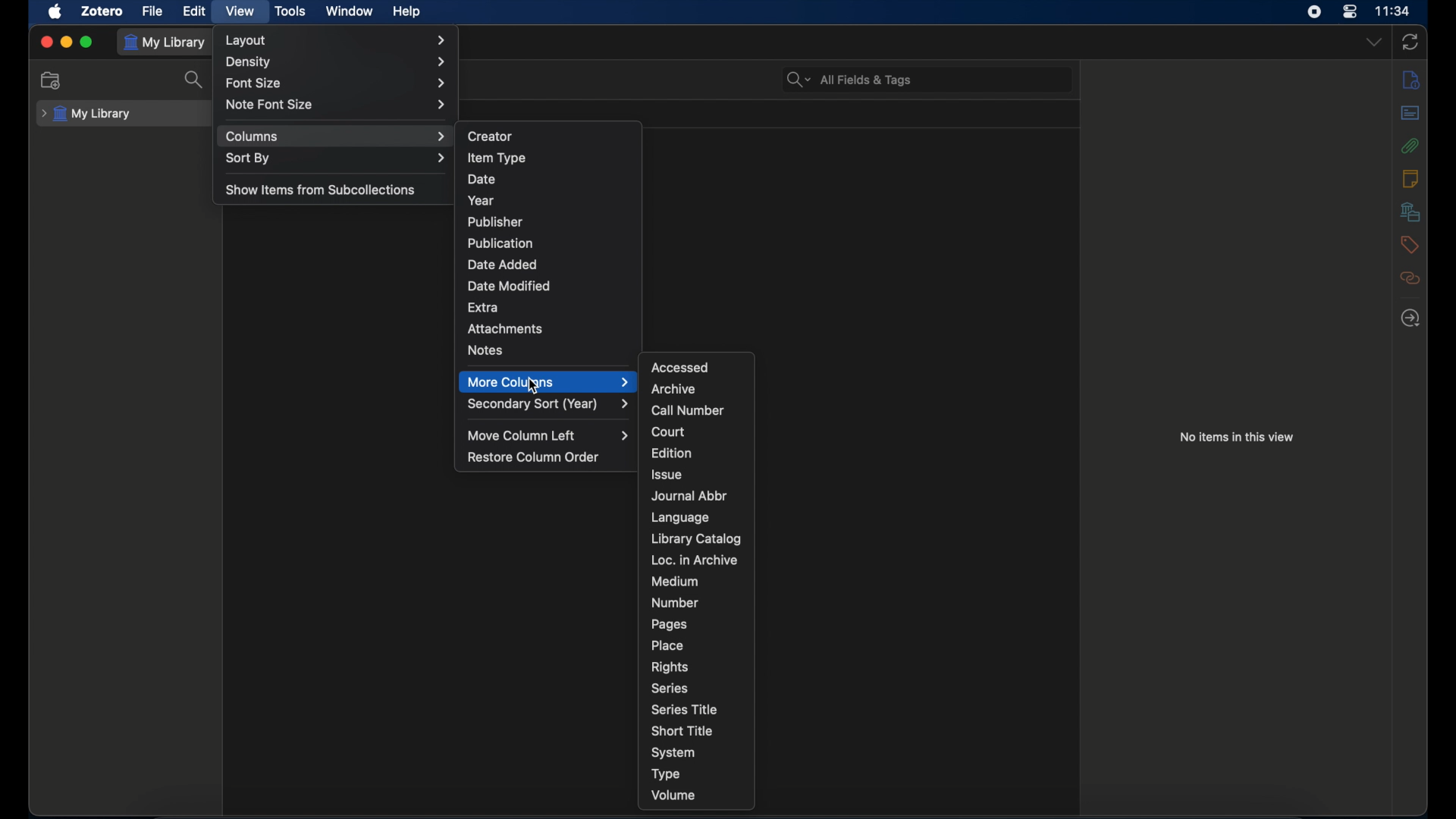 The height and width of the screenshot is (819, 1456). What do you see at coordinates (45, 41) in the screenshot?
I see `close` at bounding box center [45, 41].